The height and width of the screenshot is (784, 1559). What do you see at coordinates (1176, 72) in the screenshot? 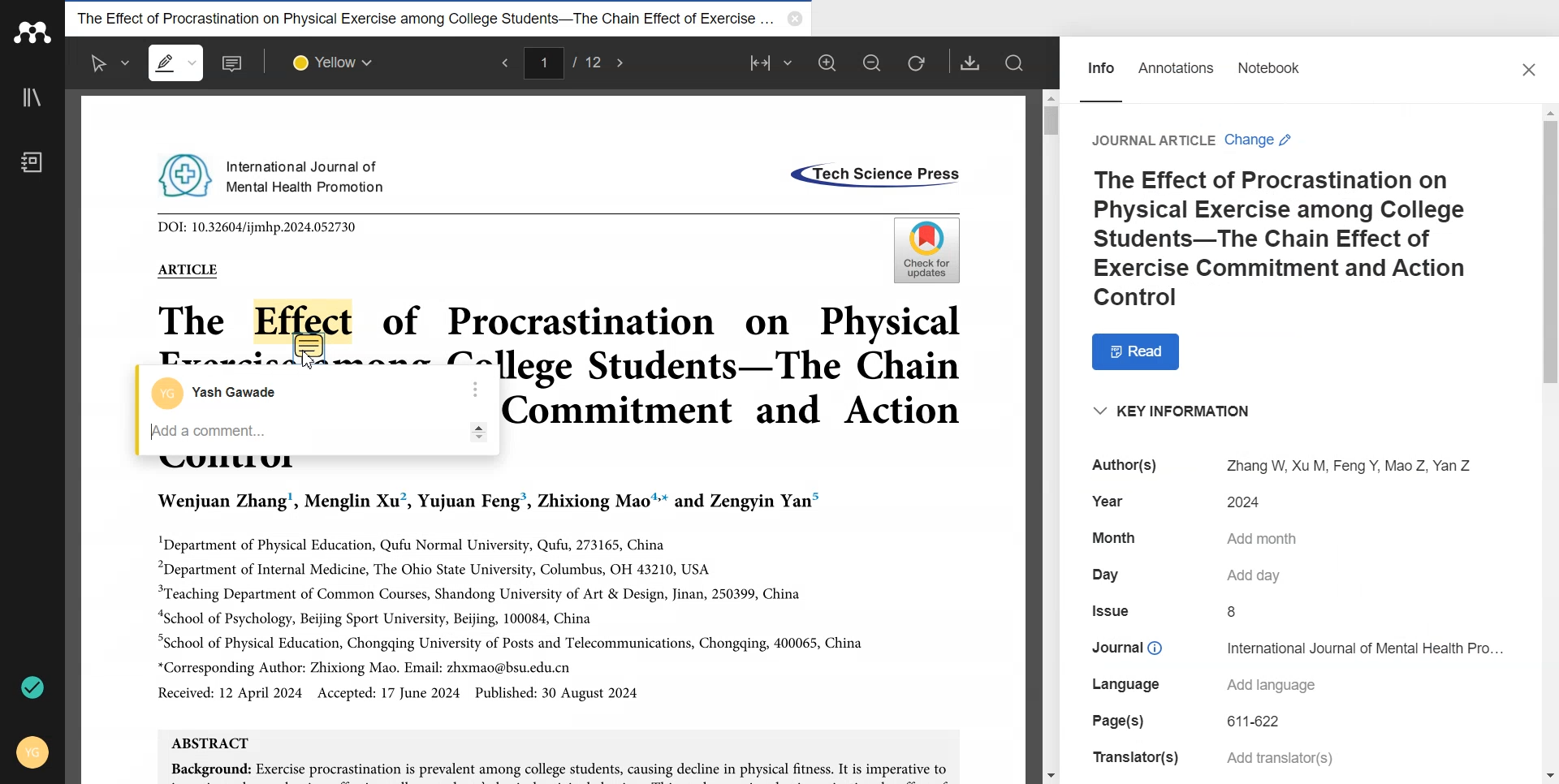
I see `Annotations` at bounding box center [1176, 72].